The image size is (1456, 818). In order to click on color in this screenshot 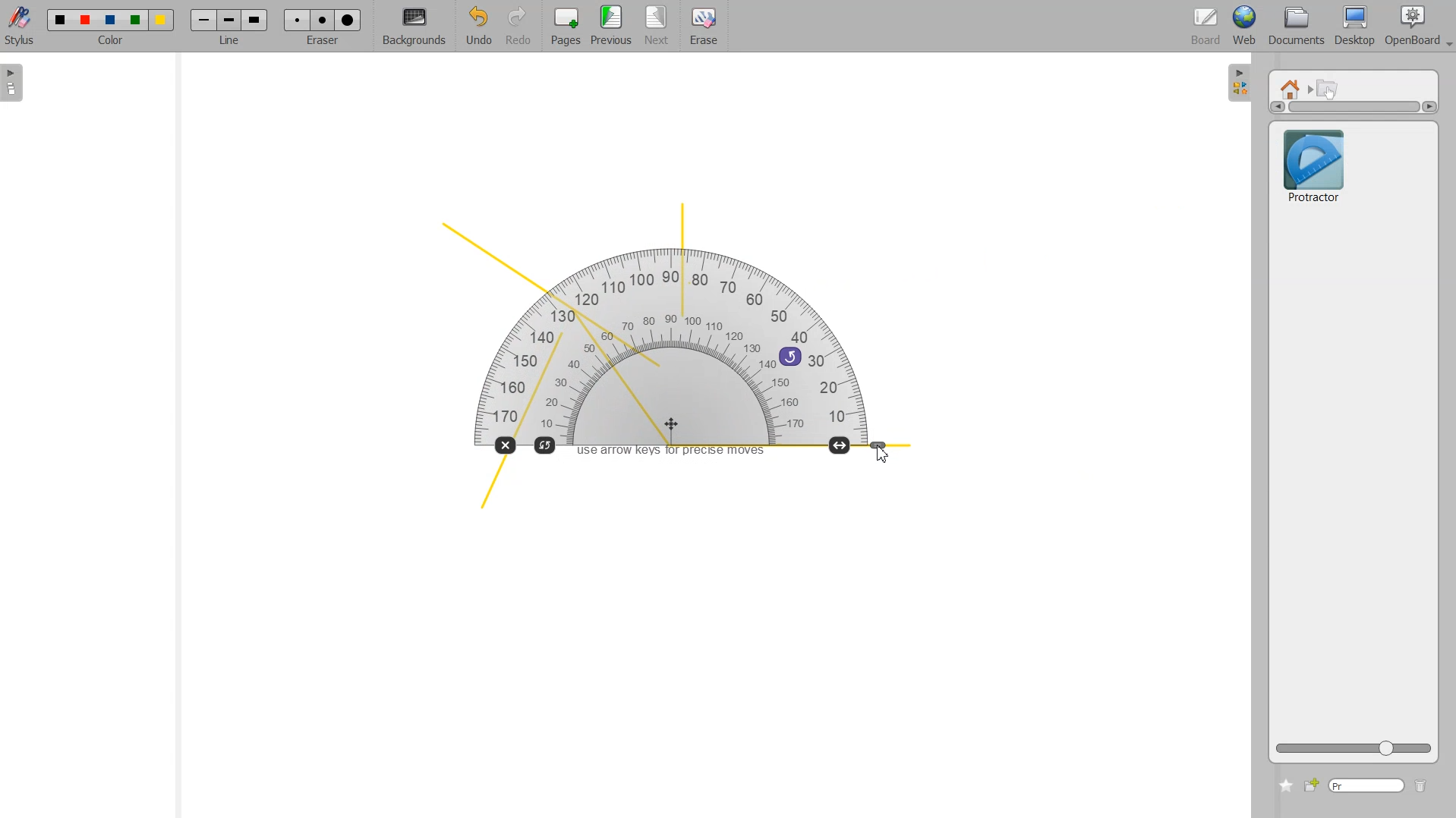, I will do `click(112, 42)`.